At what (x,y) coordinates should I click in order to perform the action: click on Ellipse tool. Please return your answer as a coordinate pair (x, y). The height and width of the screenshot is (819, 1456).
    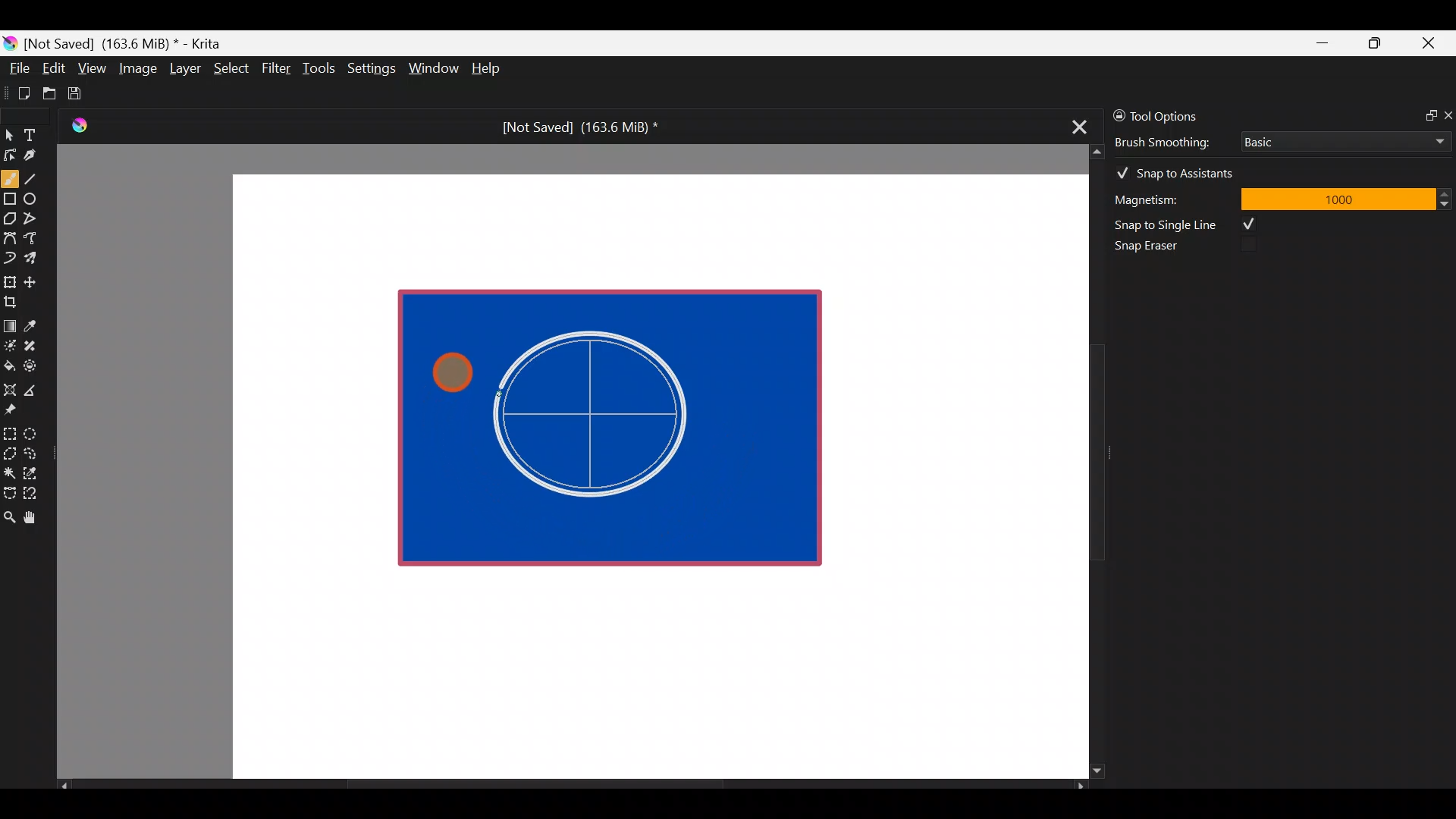
    Looking at the image, I should click on (37, 197).